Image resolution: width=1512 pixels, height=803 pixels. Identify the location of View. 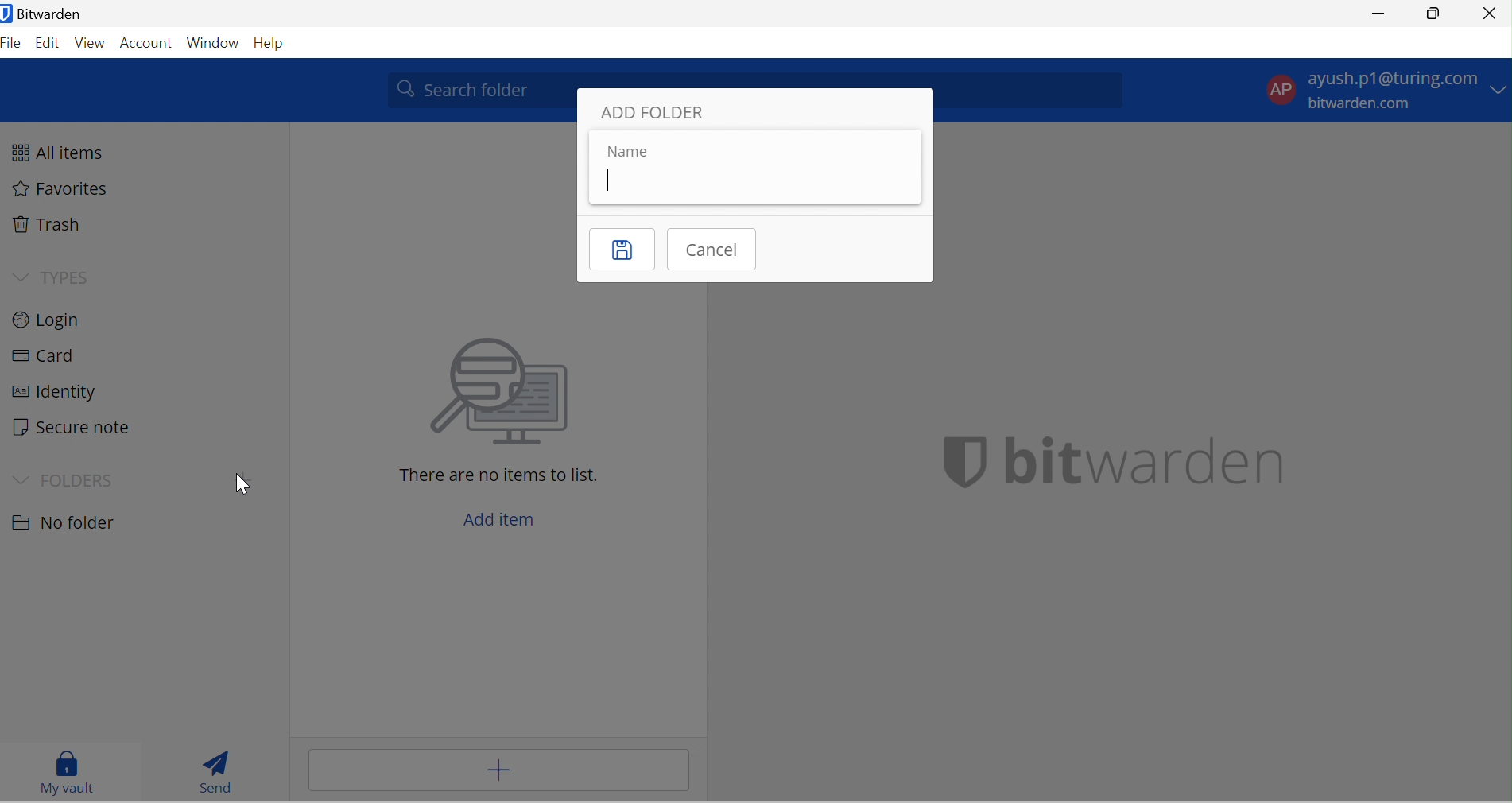
(91, 41).